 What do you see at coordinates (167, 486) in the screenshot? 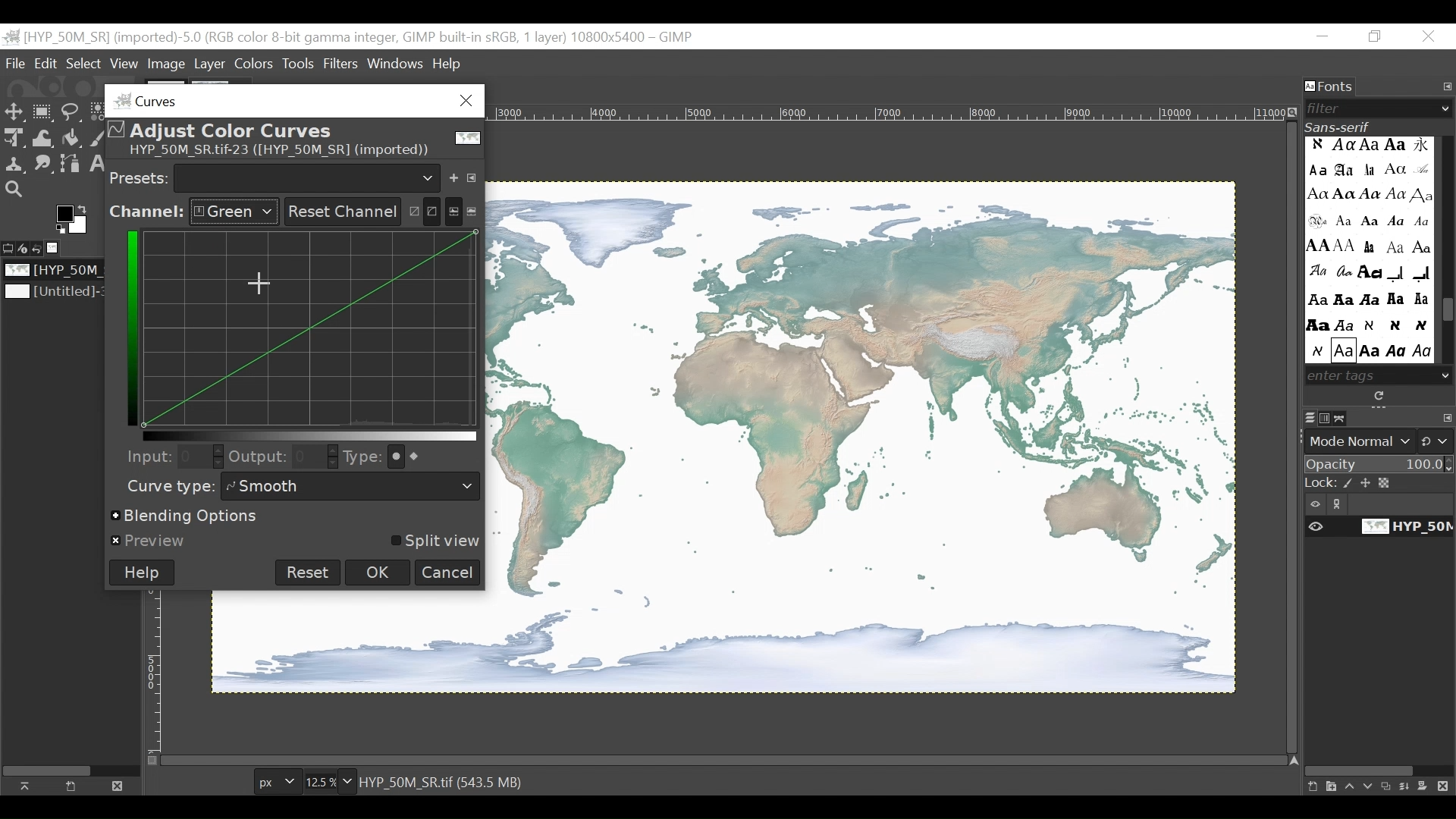
I see `Curve type` at bounding box center [167, 486].